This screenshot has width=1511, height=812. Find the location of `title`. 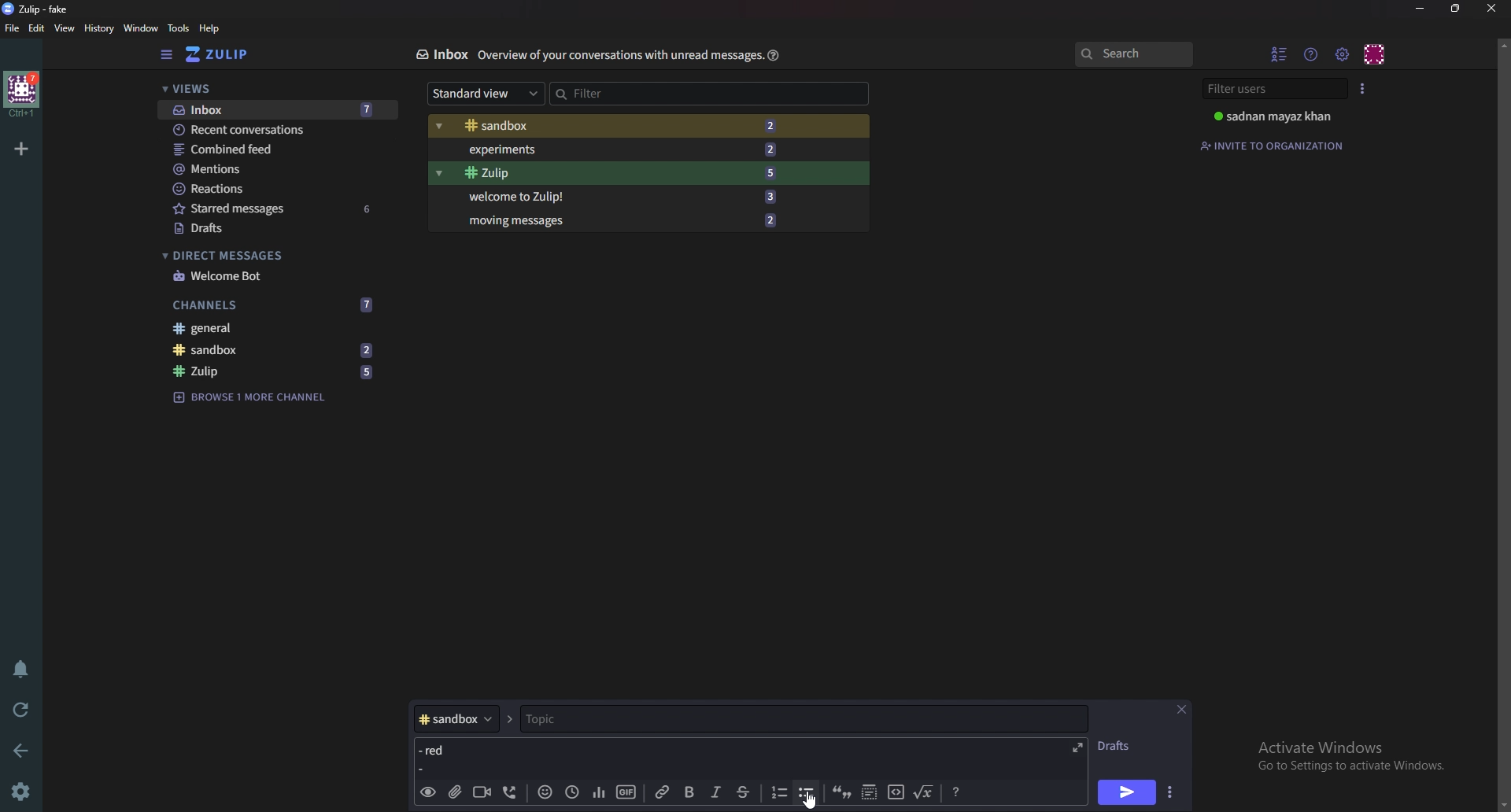

title is located at coordinates (43, 9).